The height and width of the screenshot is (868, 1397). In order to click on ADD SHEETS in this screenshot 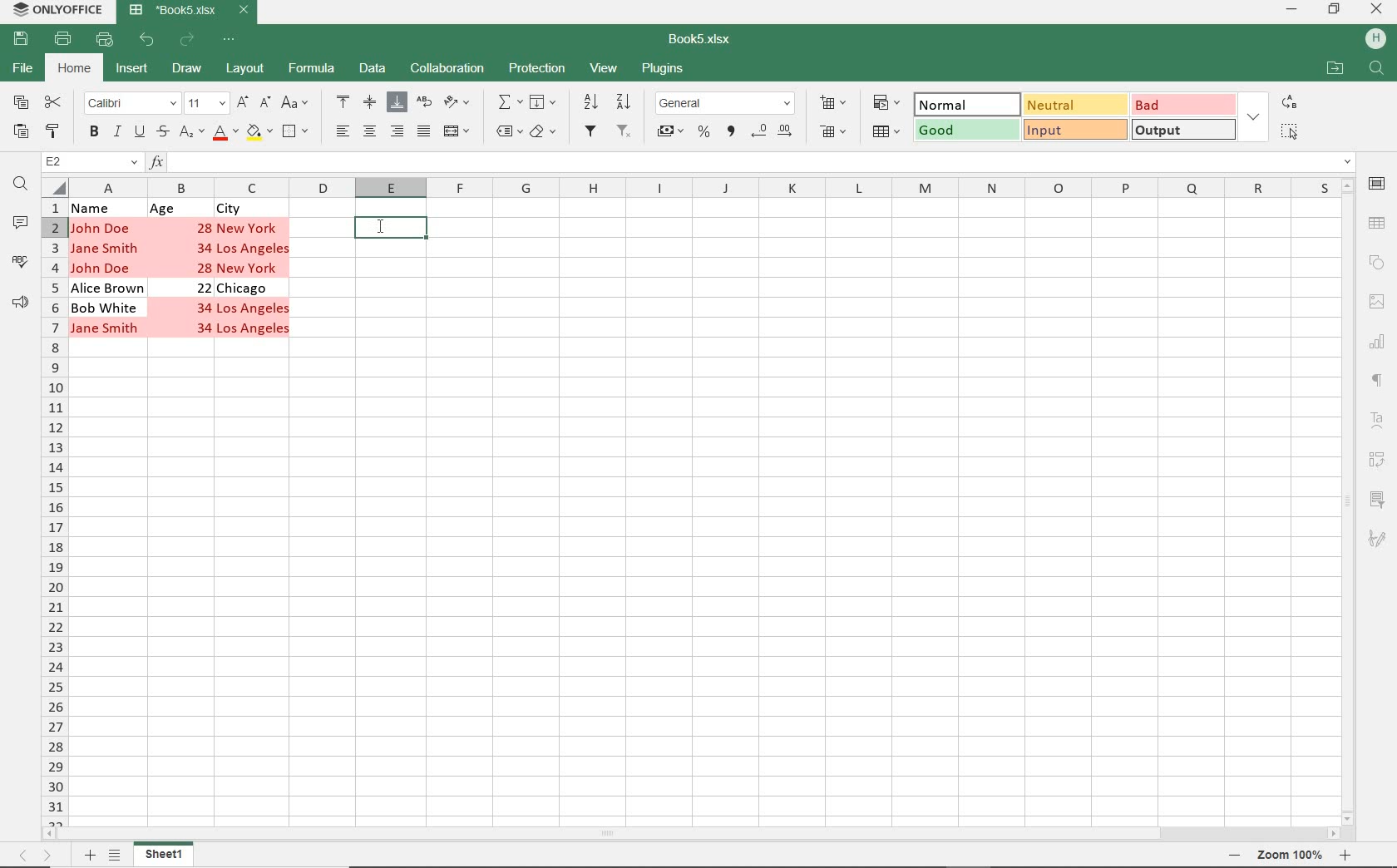, I will do `click(90, 856)`.